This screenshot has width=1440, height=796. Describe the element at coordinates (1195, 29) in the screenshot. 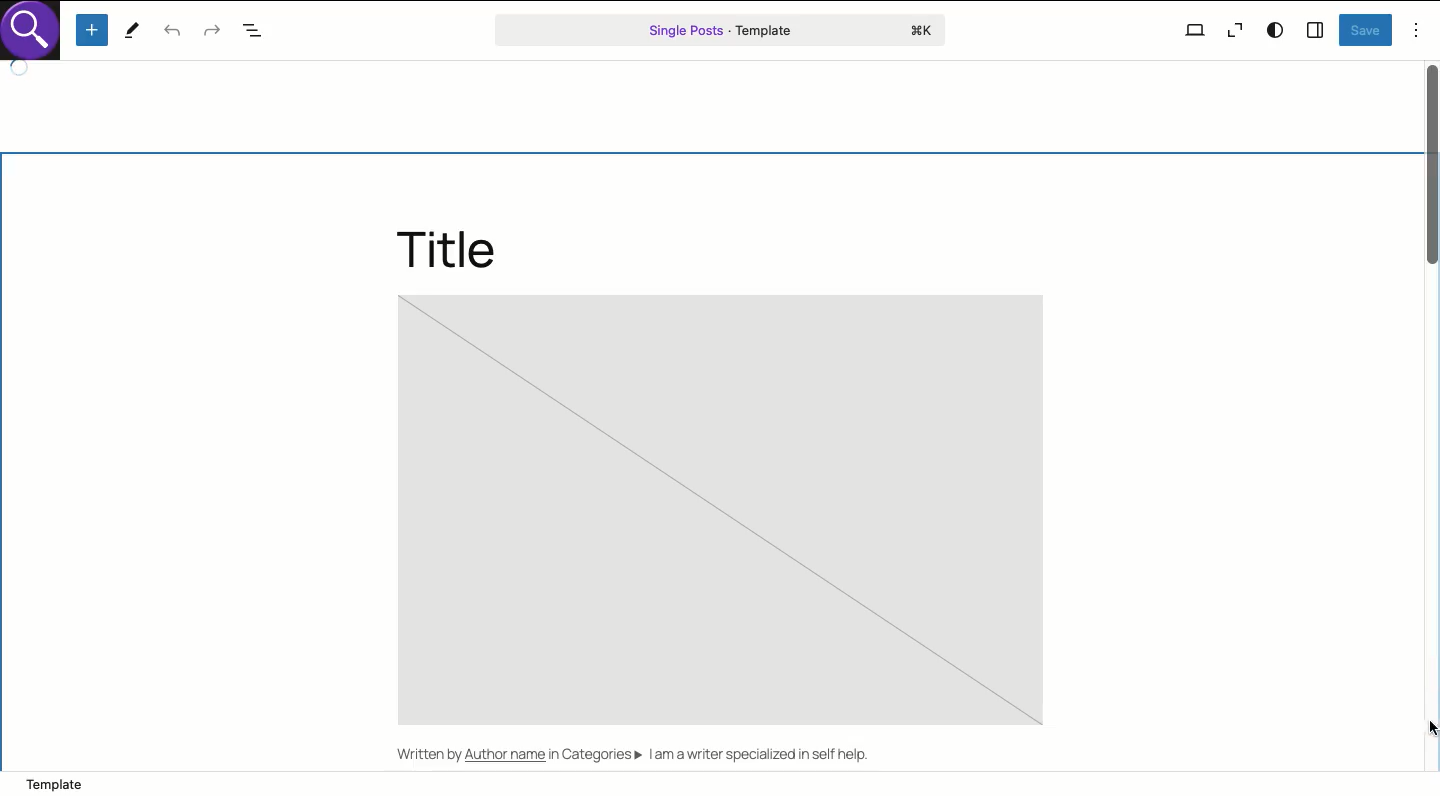

I see `View` at that location.